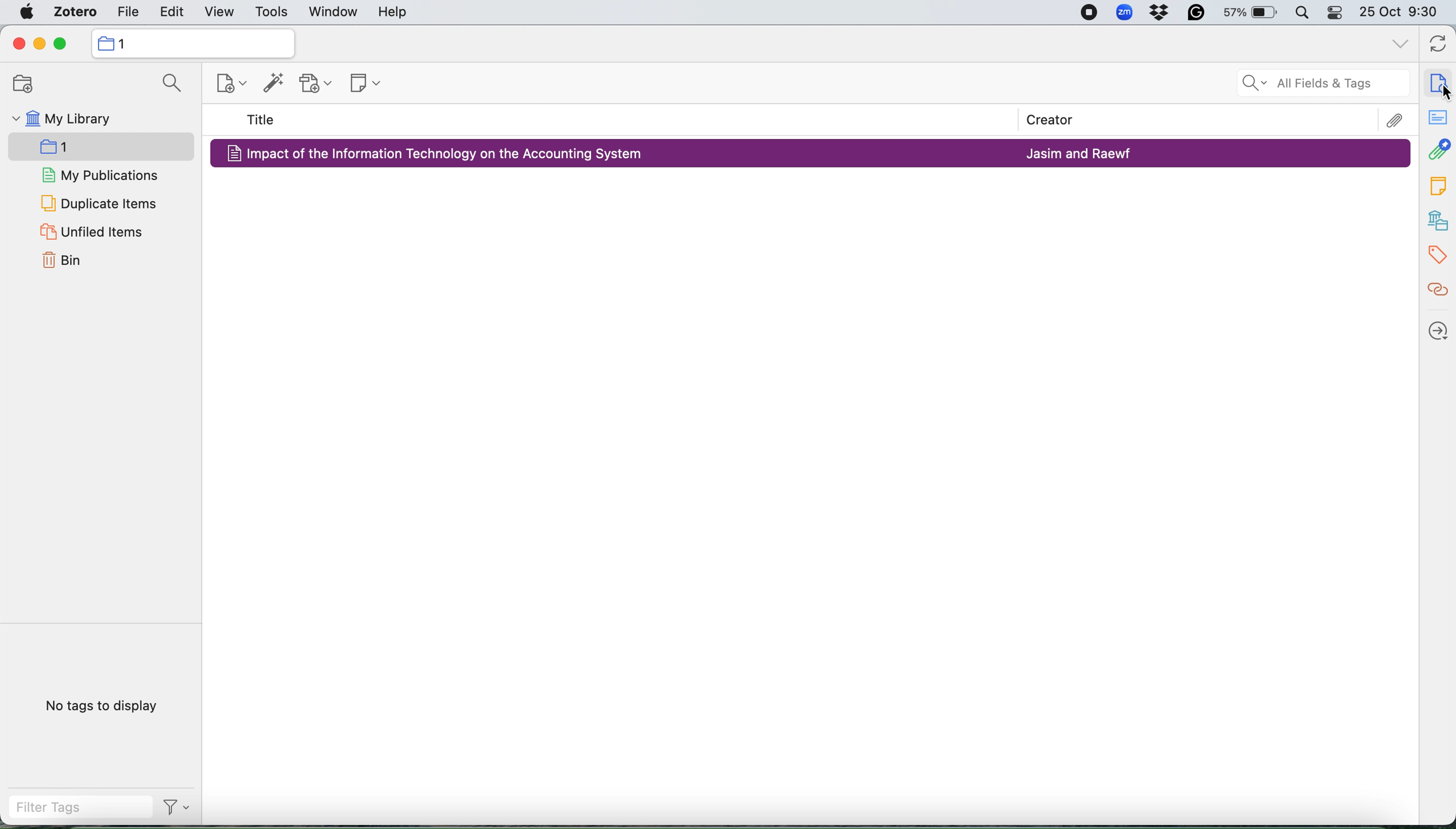 This screenshot has width=1456, height=829. Describe the element at coordinates (99, 706) in the screenshot. I see `no tags to display` at that location.